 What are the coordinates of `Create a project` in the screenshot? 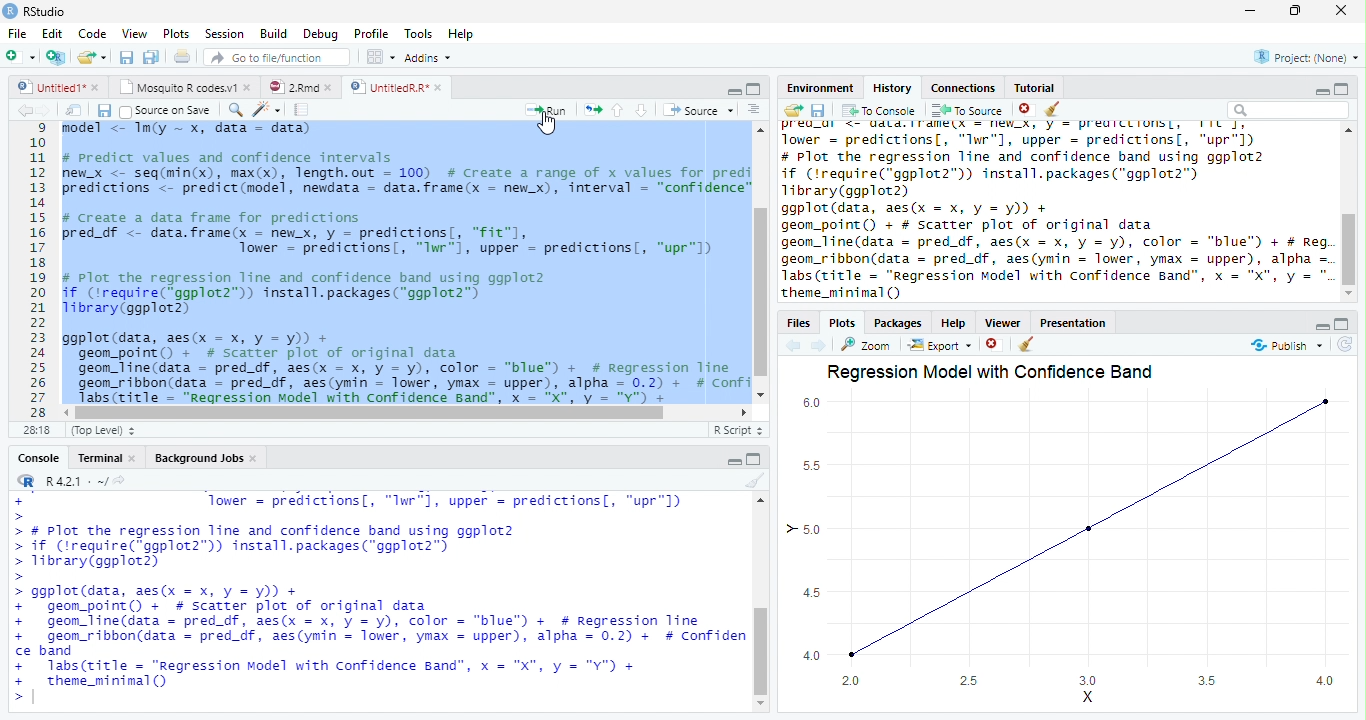 It's located at (55, 57).